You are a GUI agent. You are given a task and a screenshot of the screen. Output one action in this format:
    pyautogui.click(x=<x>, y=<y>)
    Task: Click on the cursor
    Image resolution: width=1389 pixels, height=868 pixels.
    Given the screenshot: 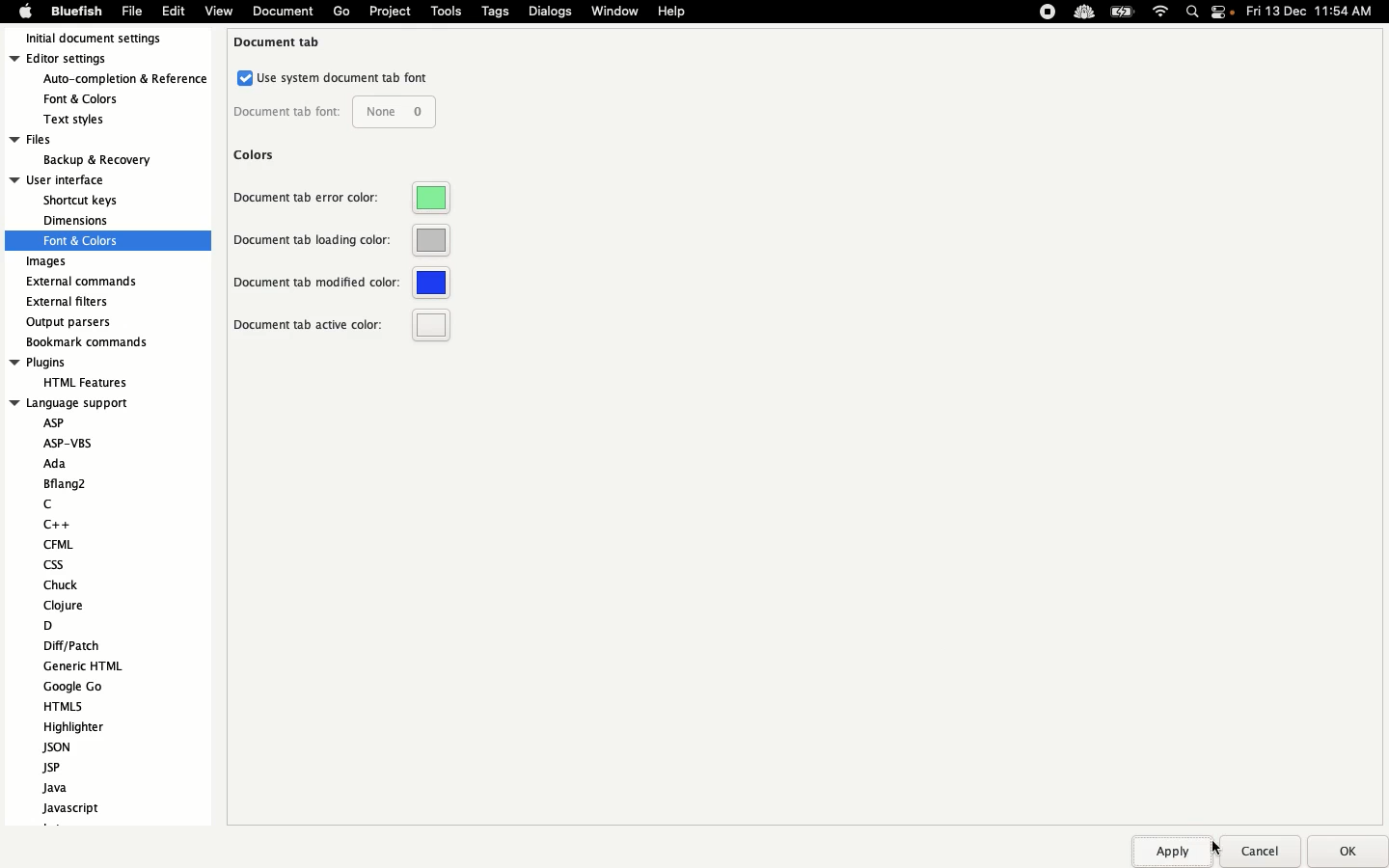 What is the action you would take?
    pyautogui.click(x=1217, y=845)
    